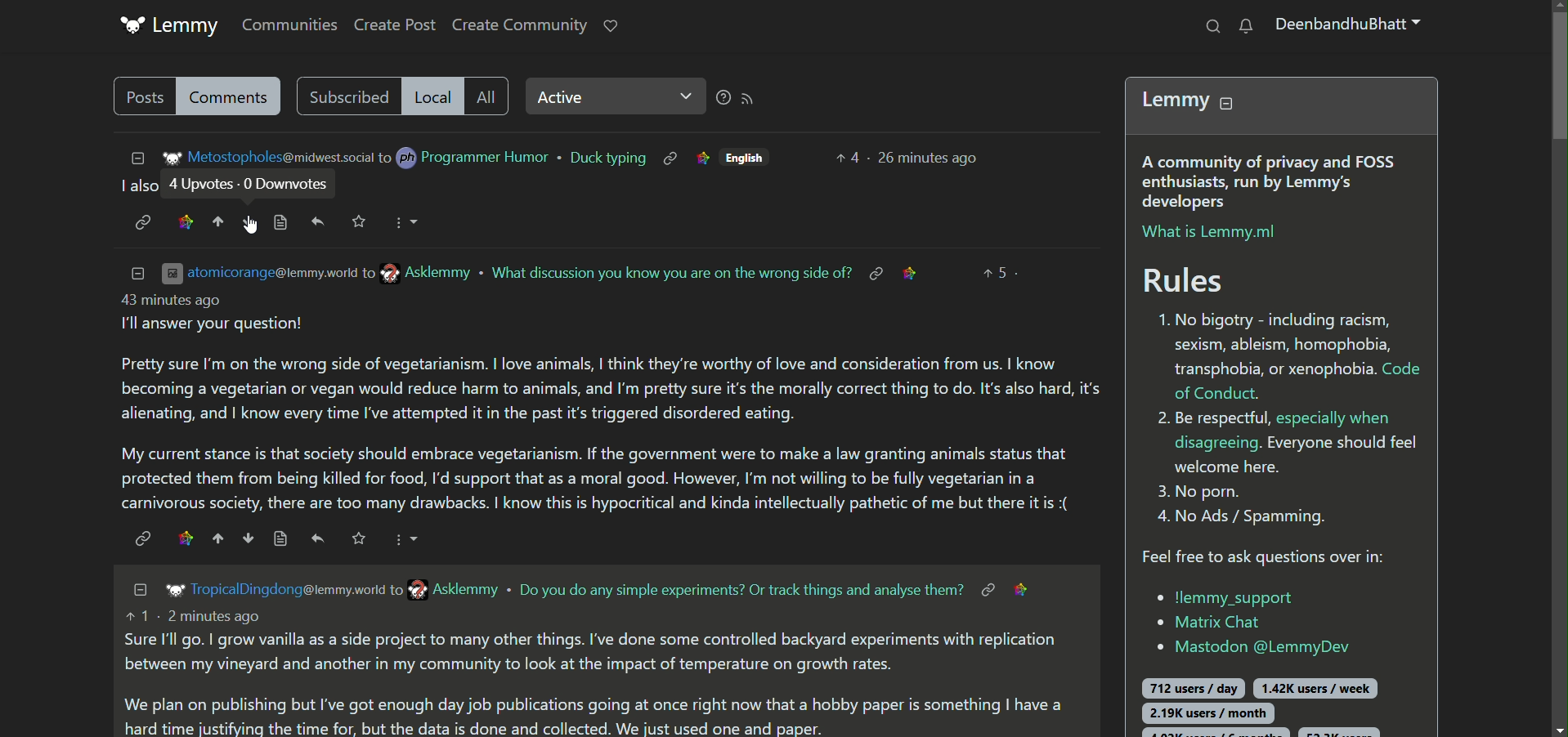  I want to click on hyperlink, so click(985, 588).